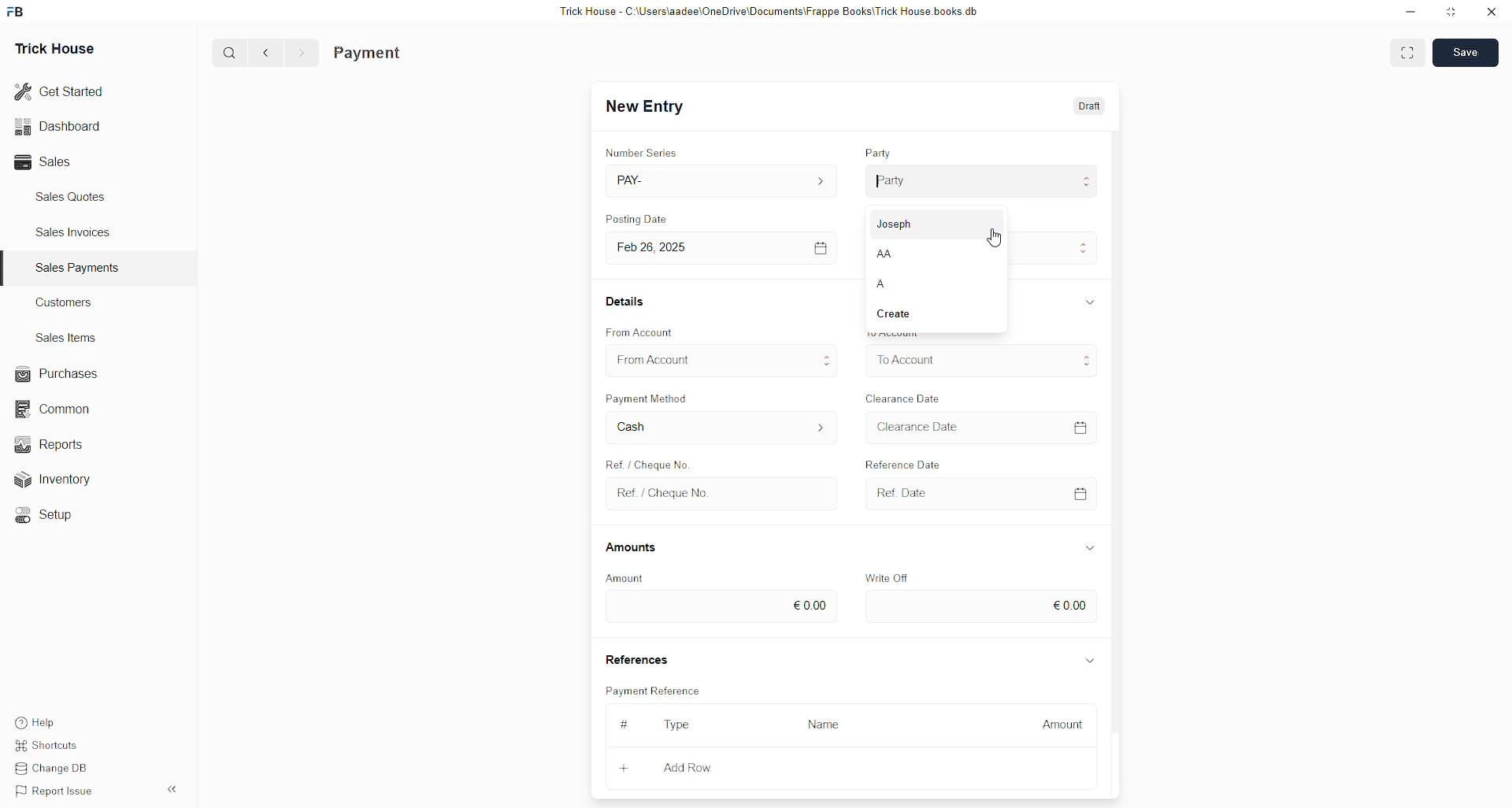 The height and width of the screenshot is (808, 1512). Describe the element at coordinates (72, 196) in the screenshot. I see `Sales Quotes.` at that location.